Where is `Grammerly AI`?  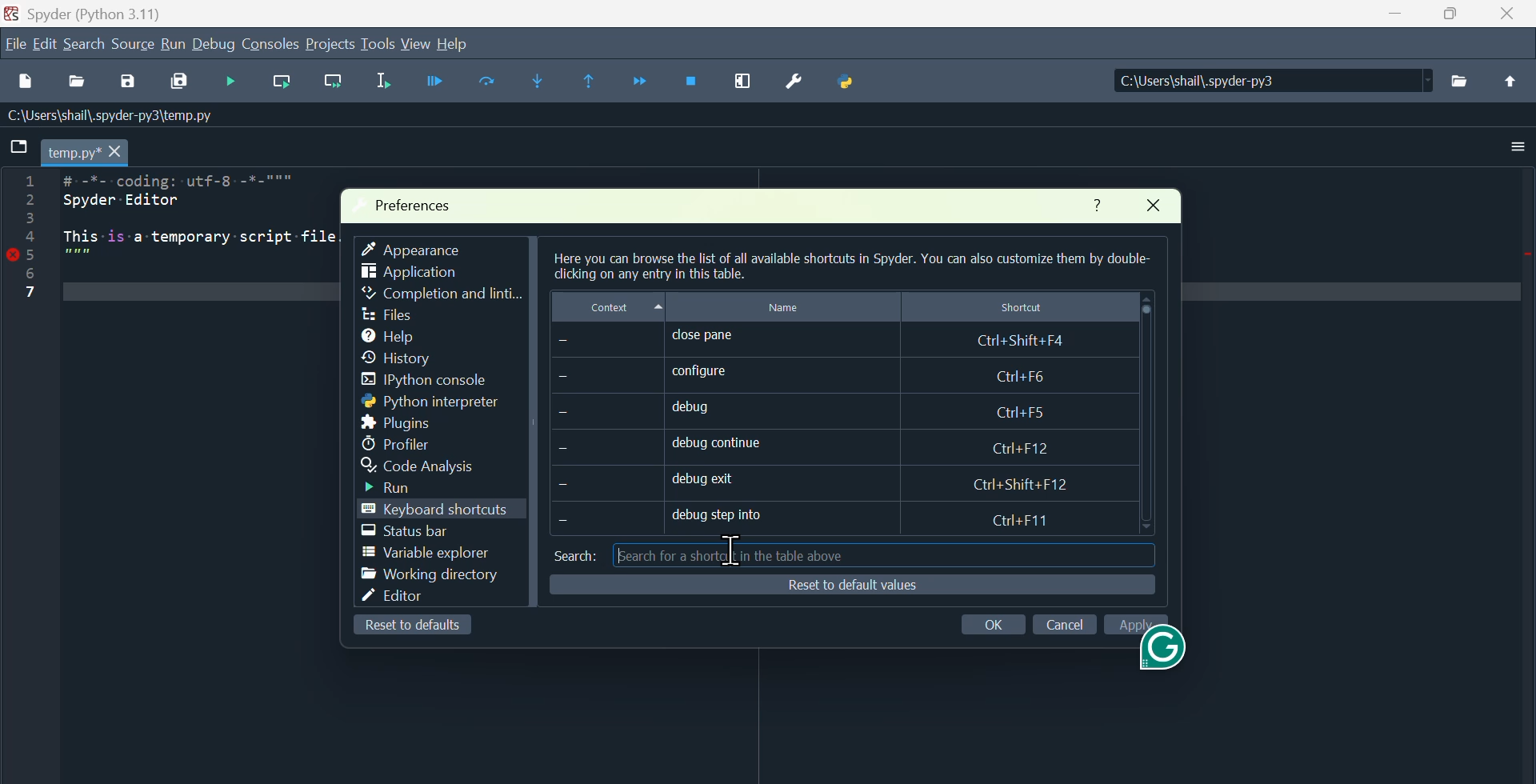
Grammerly AI is located at coordinates (1162, 660).